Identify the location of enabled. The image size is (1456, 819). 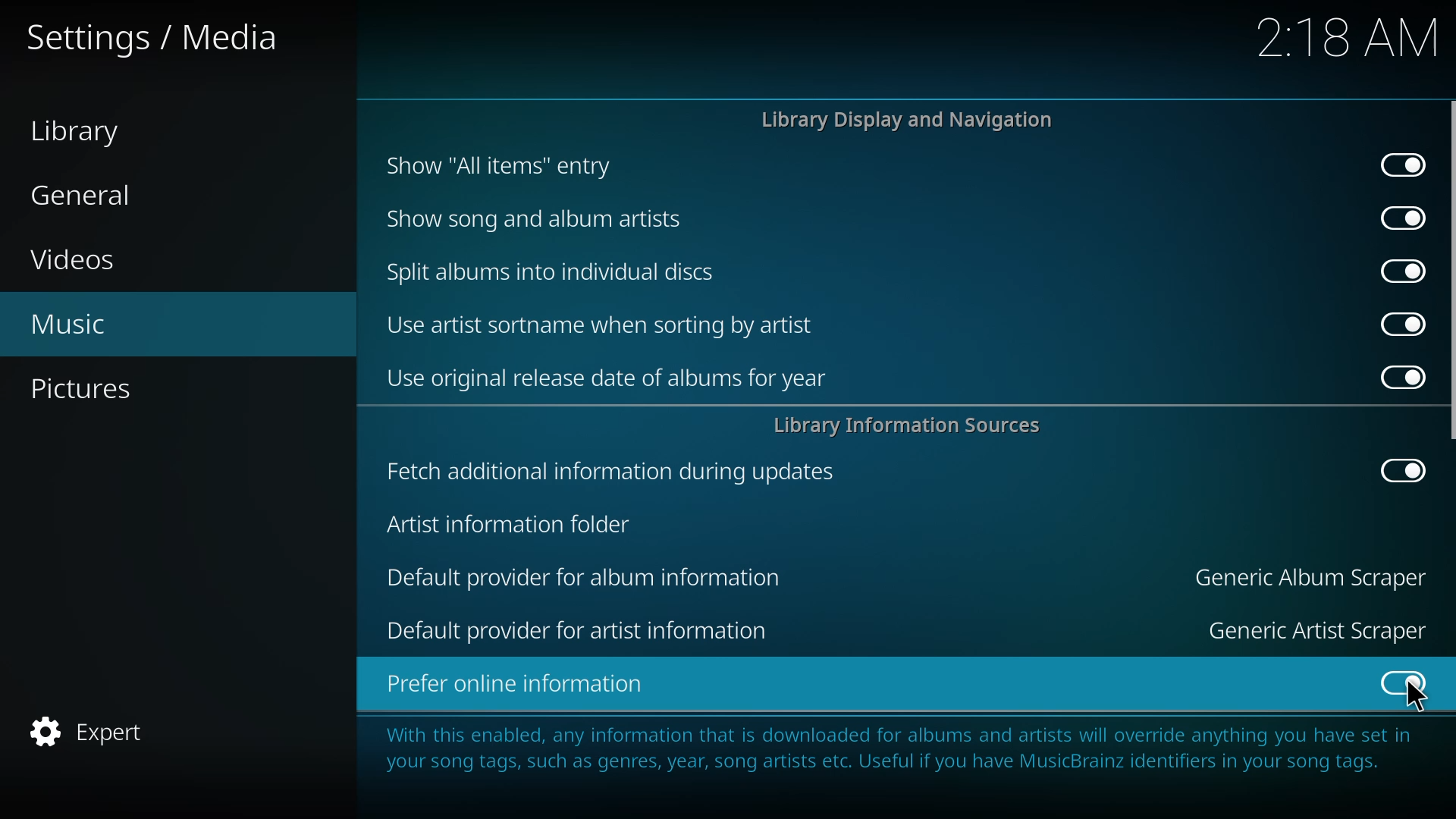
(1400, 682).